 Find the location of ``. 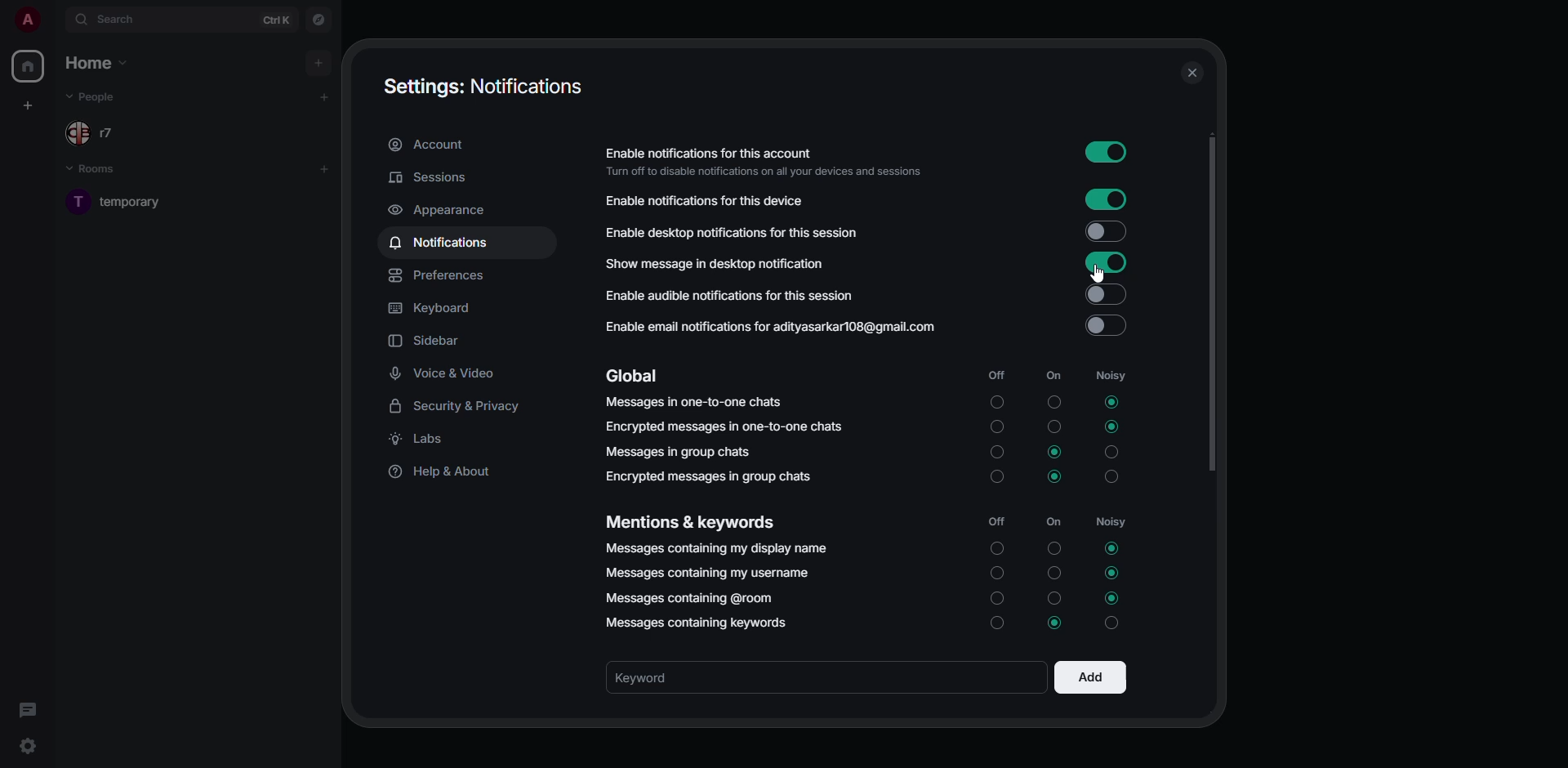

 is located at coordinates (1106, 294).